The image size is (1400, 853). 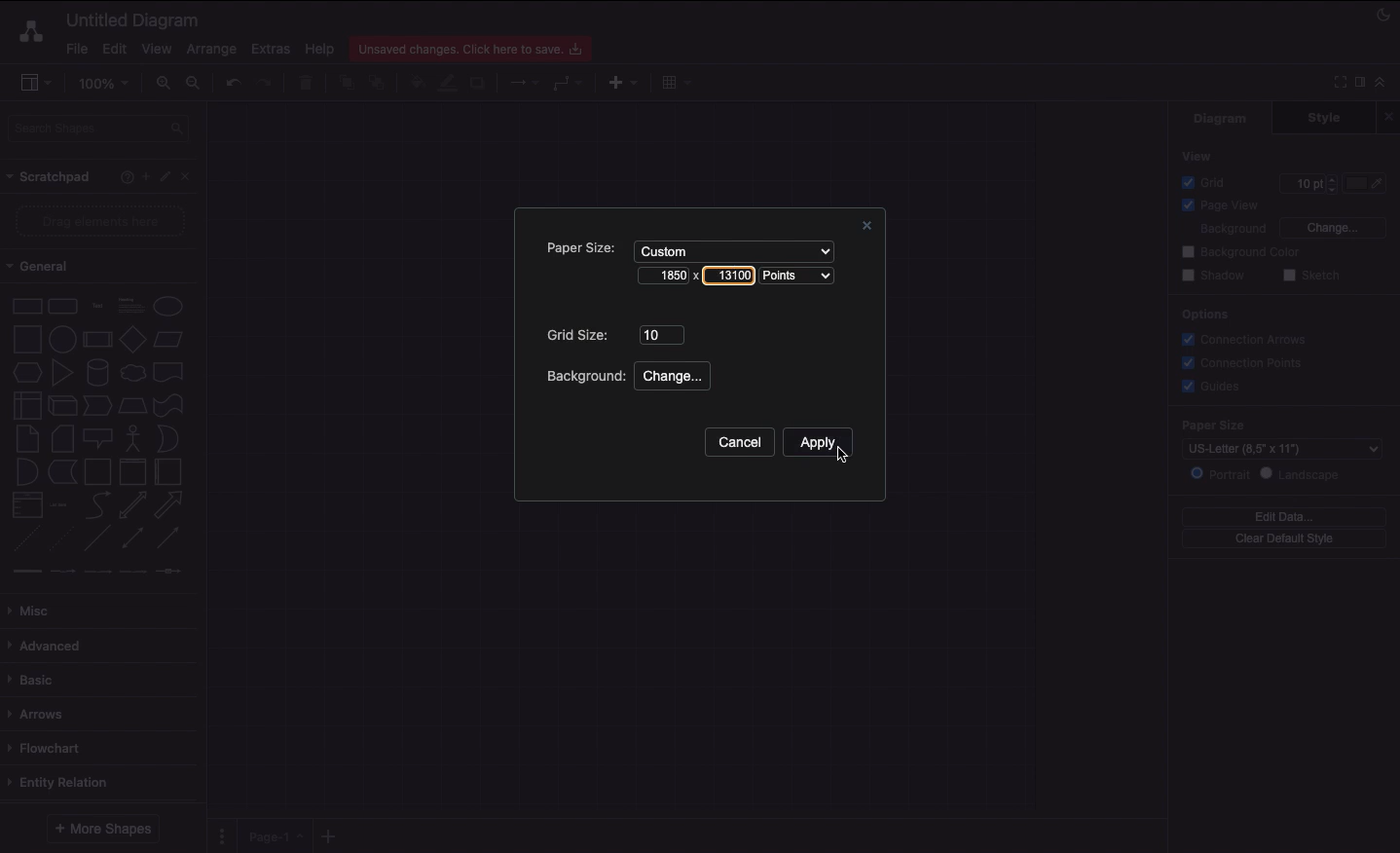 I want to click on Collapse expand, so click(x=1385, y=87).